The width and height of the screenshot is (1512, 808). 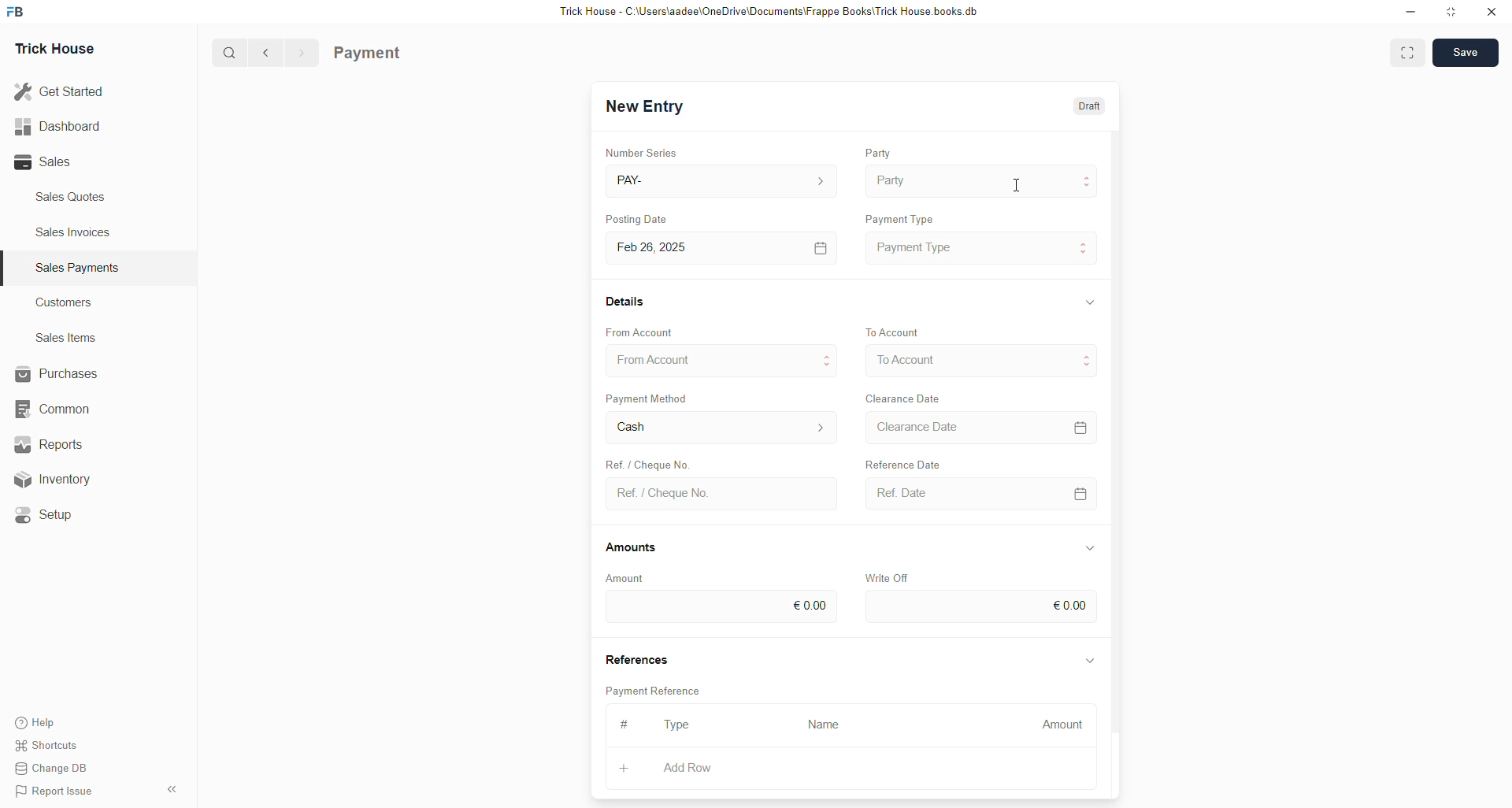 What do you see at coordinates (78, 232) in the screenshot?
I see `Sales Invoices` at bounding box center [78, 232].